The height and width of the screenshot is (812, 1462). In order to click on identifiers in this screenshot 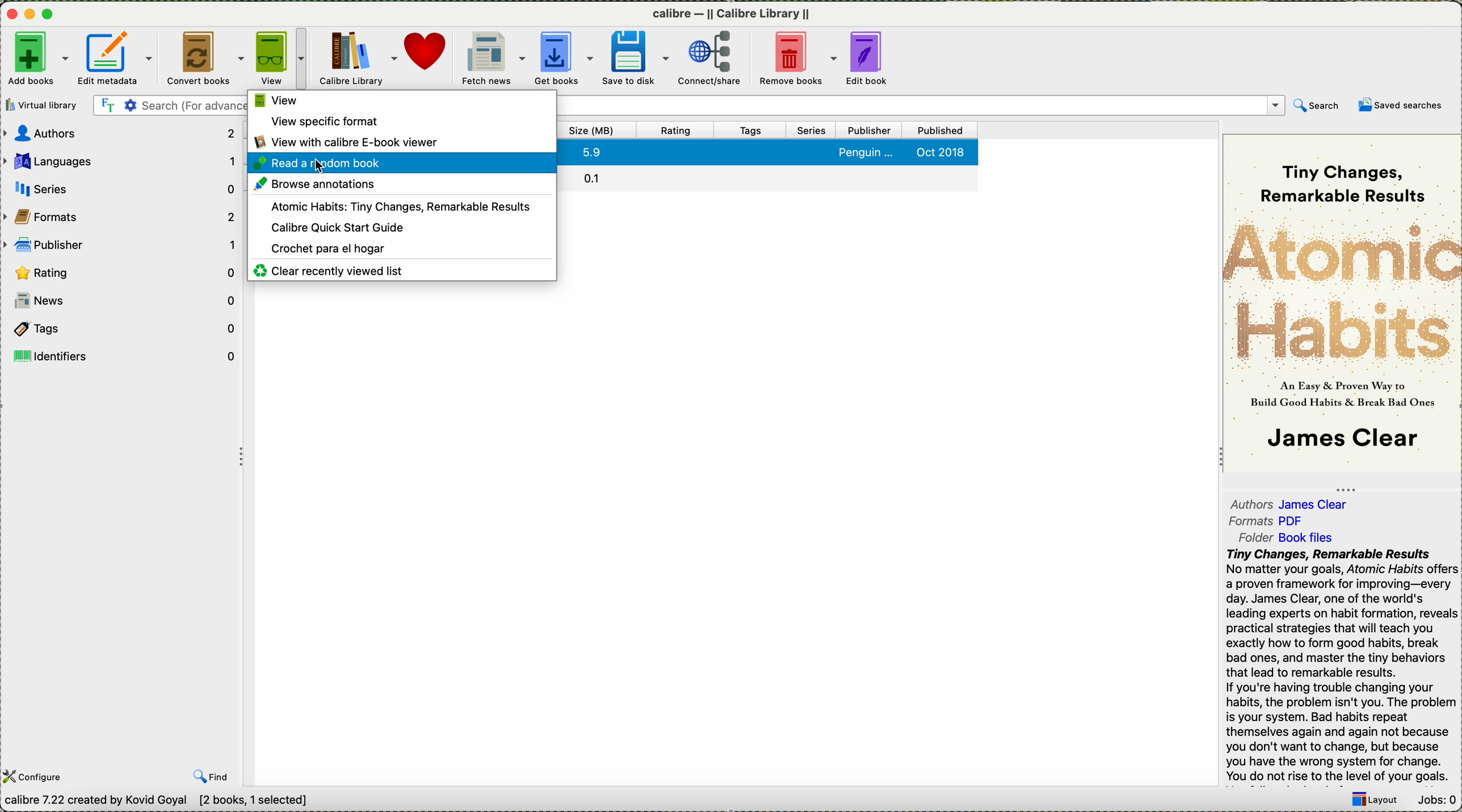, I will do `click(124, 357)`.